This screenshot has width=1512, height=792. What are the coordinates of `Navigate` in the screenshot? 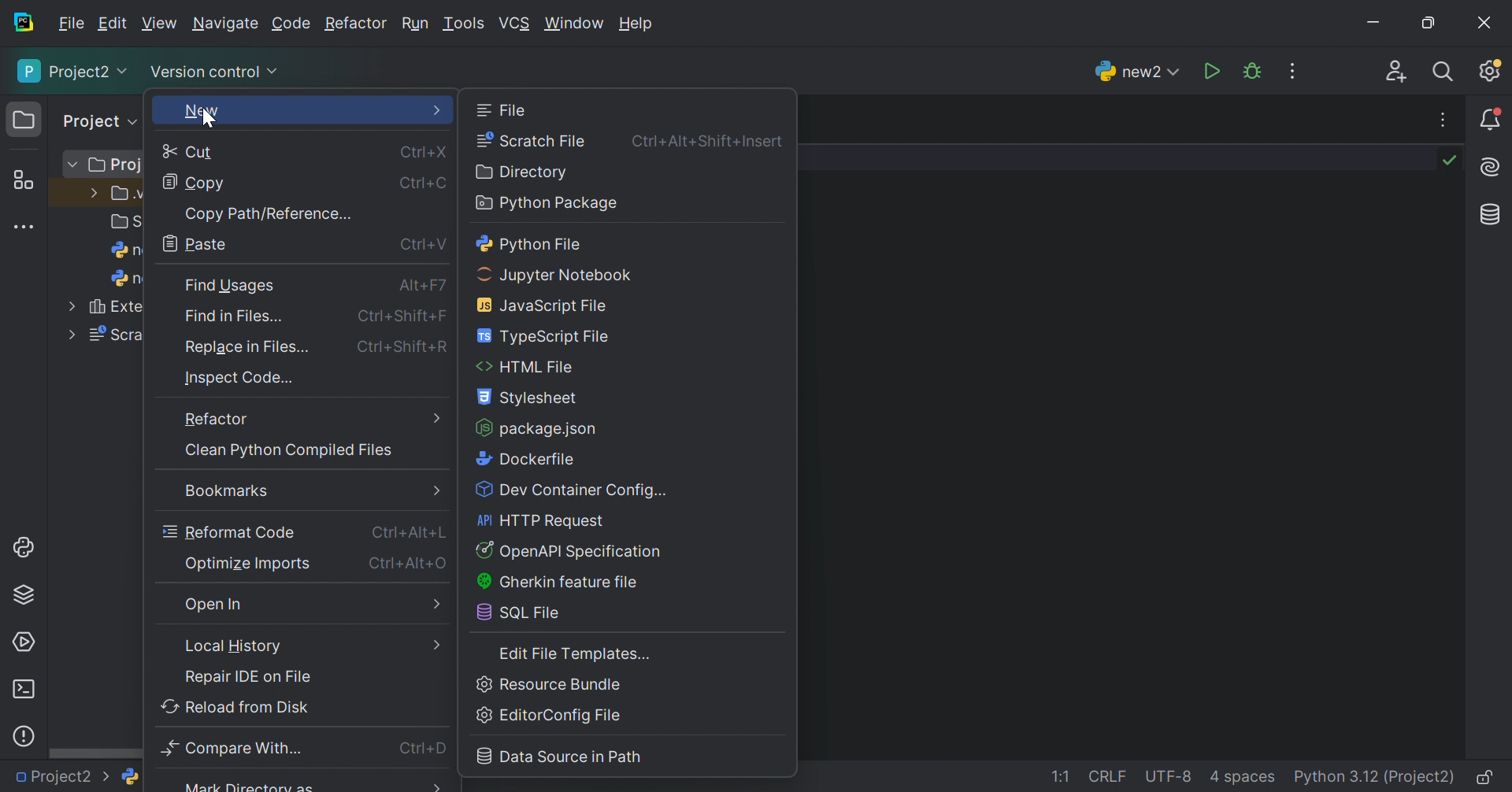 It's located at (225, 23).